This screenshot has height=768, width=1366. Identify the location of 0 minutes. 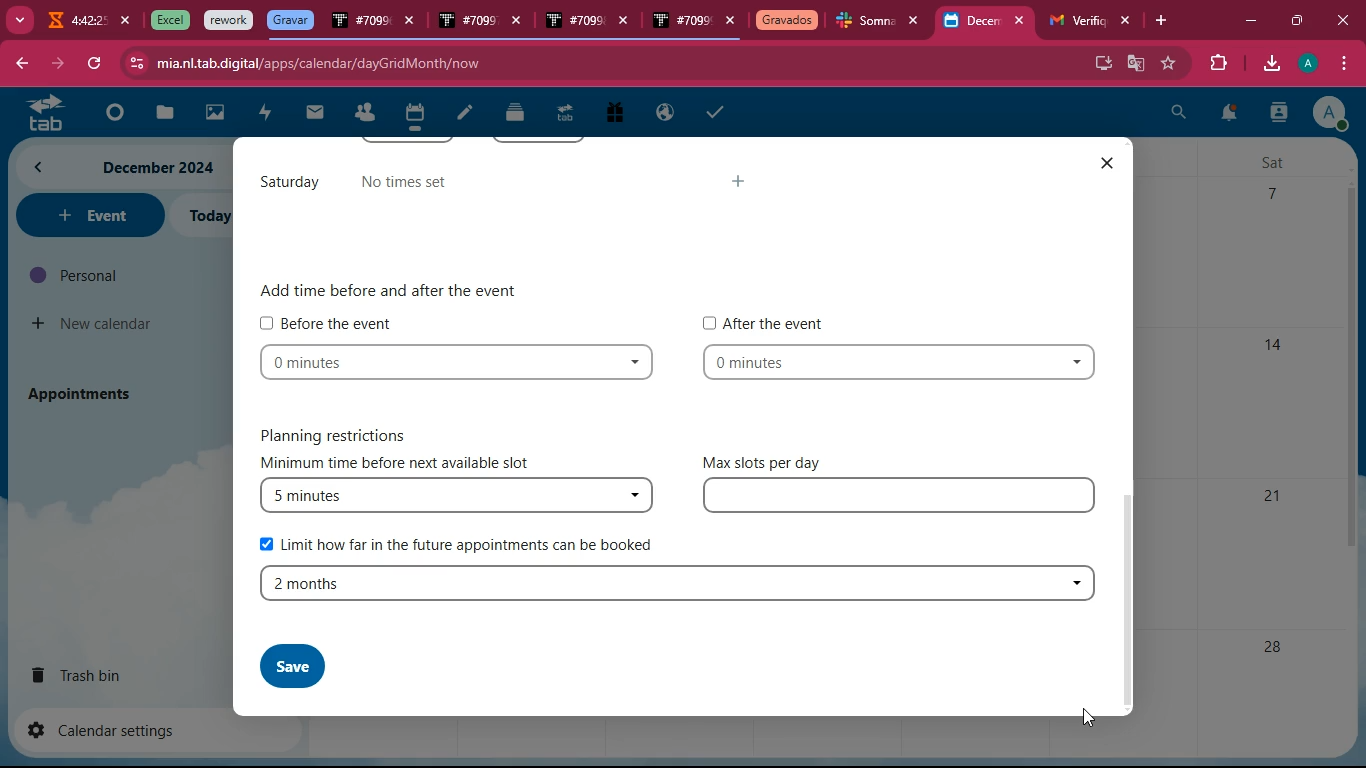
(452, 361).